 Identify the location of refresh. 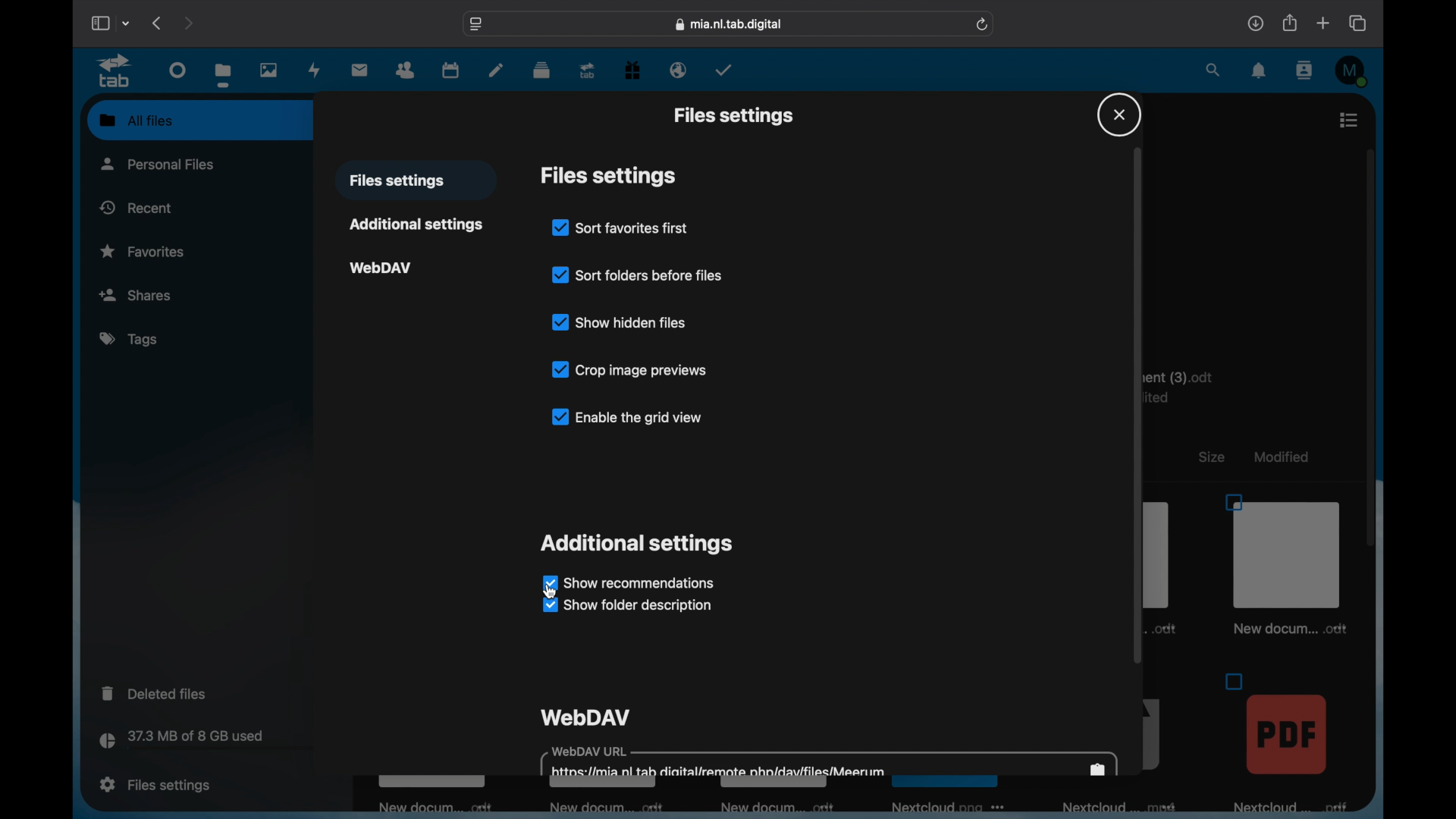
(982, 25).